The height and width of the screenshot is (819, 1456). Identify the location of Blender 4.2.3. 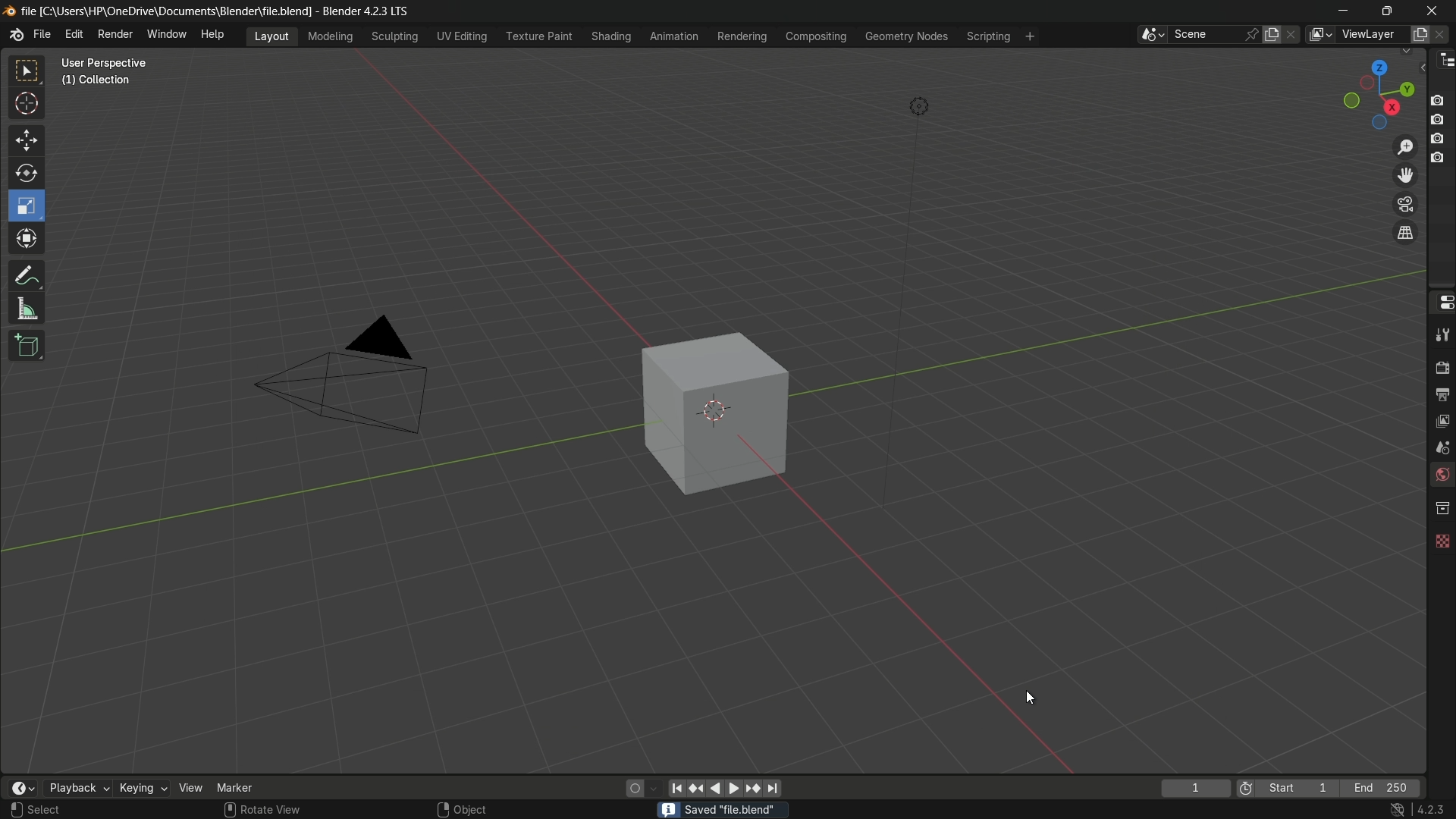
(402, 11).